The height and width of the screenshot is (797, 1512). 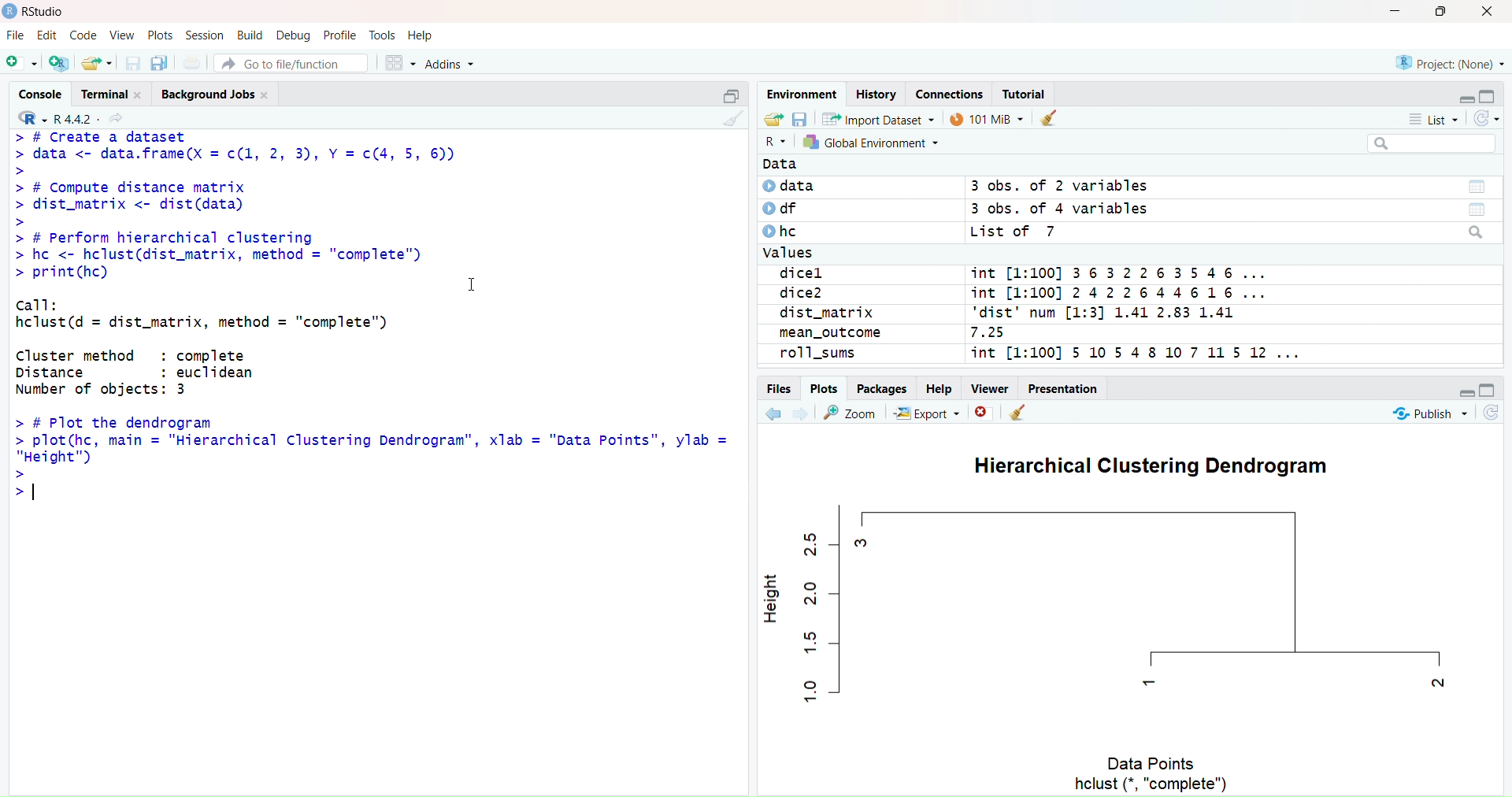 I want to click on Session, so click(x=206, y=34).